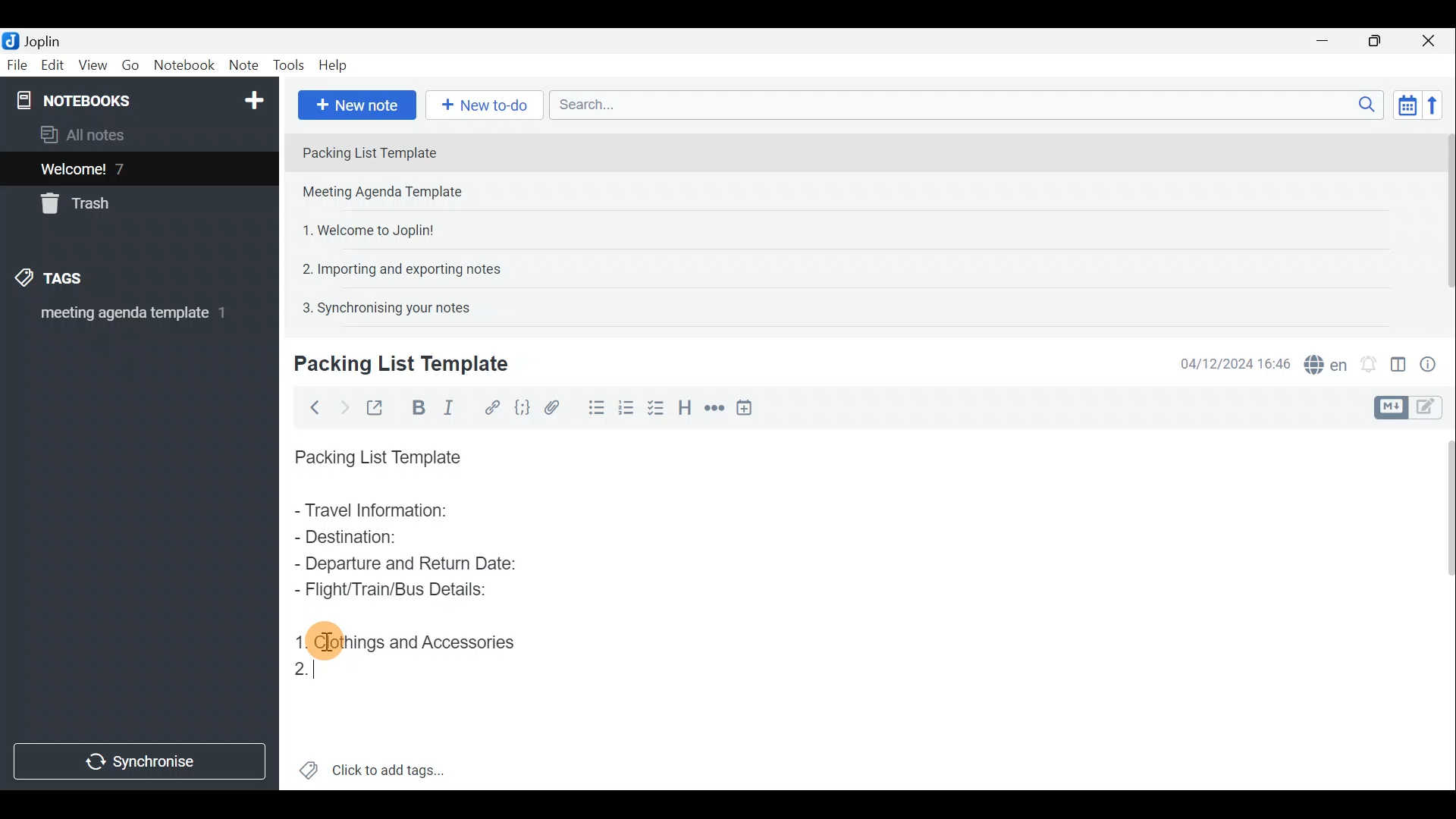 This screenshot has height=819, width=1456. I want to click on Synchronise, so click(142, 764).